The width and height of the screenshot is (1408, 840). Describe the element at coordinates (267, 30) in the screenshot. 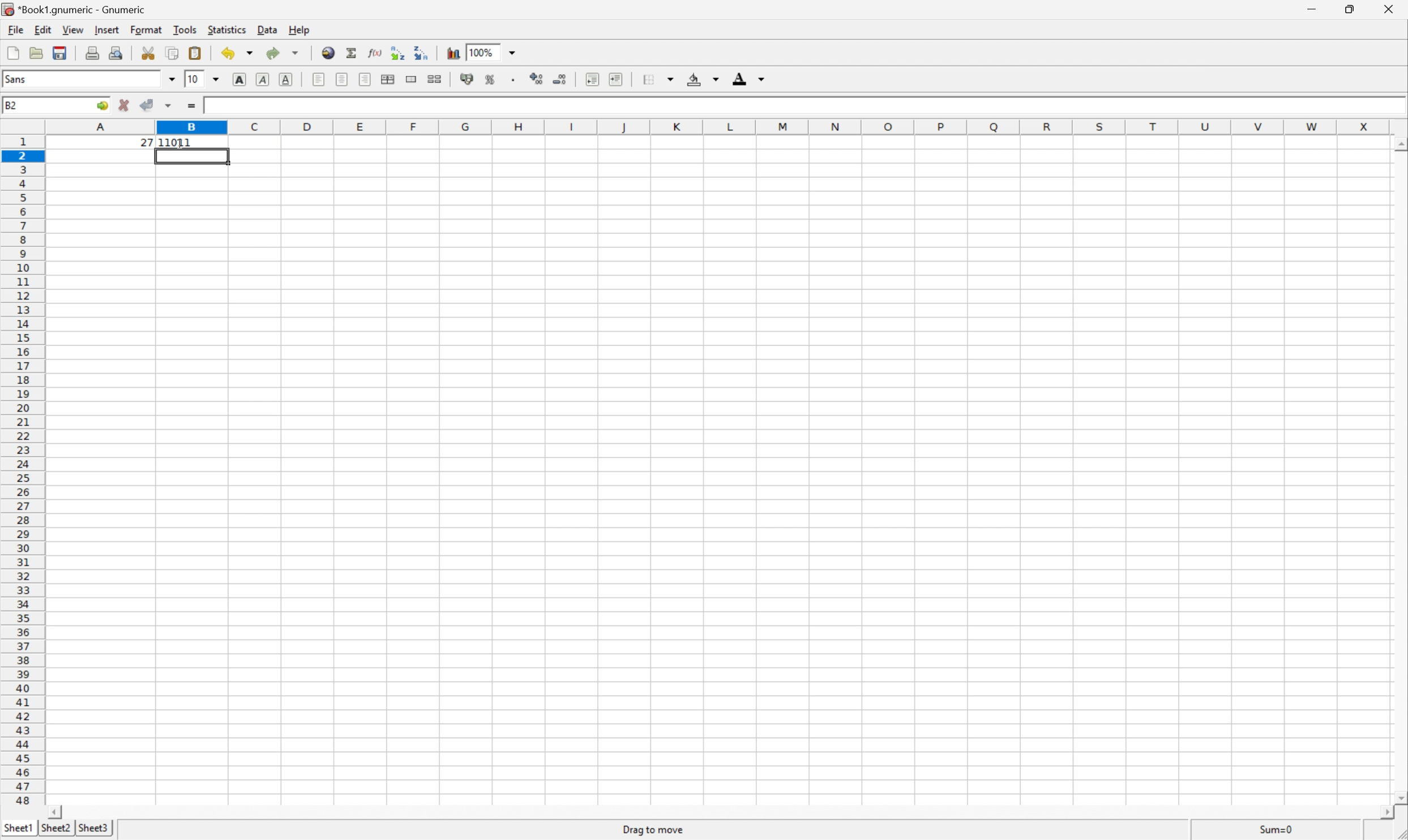

I see `Data` at that location.